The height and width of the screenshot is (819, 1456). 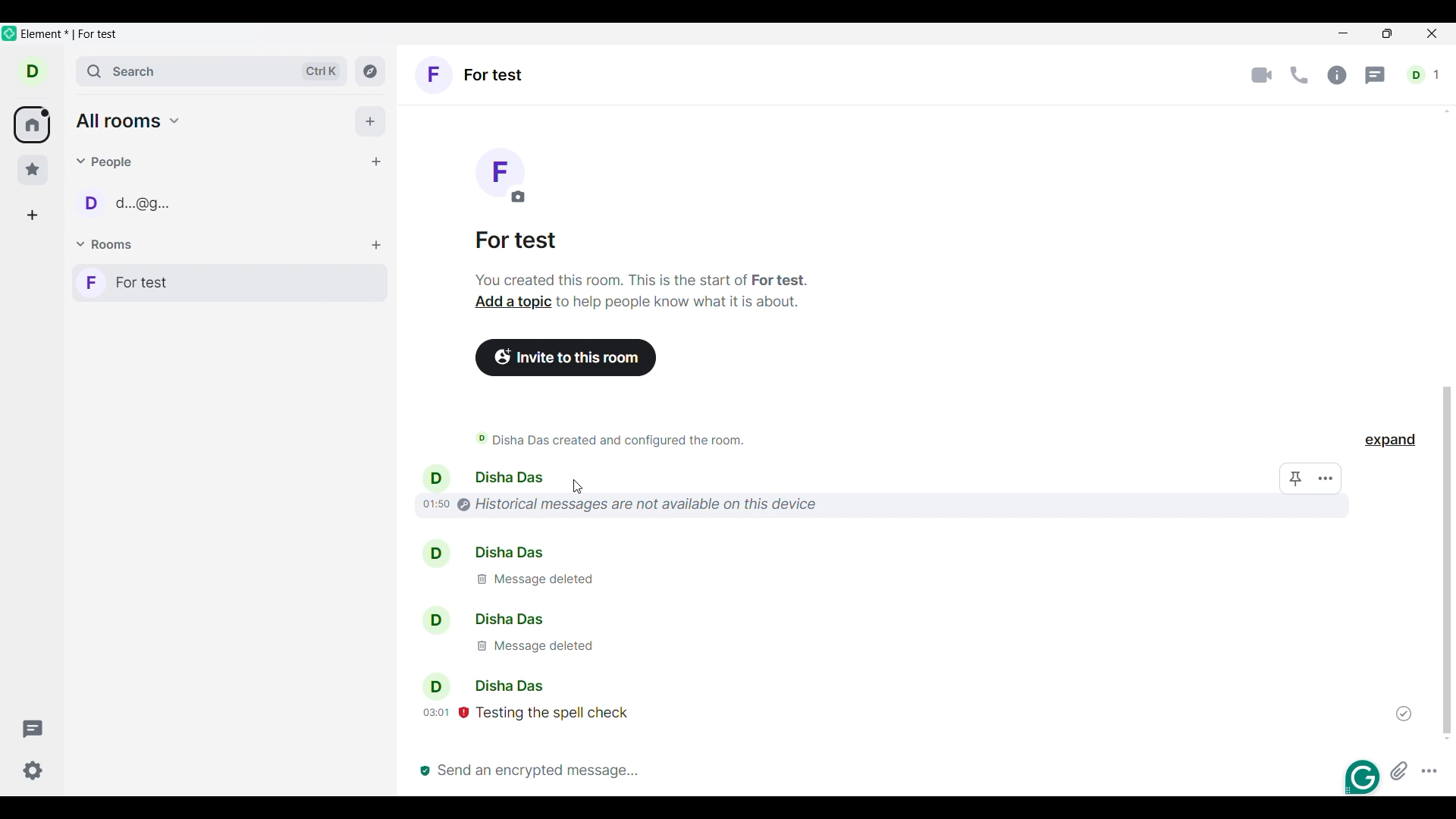 What do you see at coordinates (1387, 33) in the screenshot?
I see `Show in smaller tab` at bounding box center [1387, 33].